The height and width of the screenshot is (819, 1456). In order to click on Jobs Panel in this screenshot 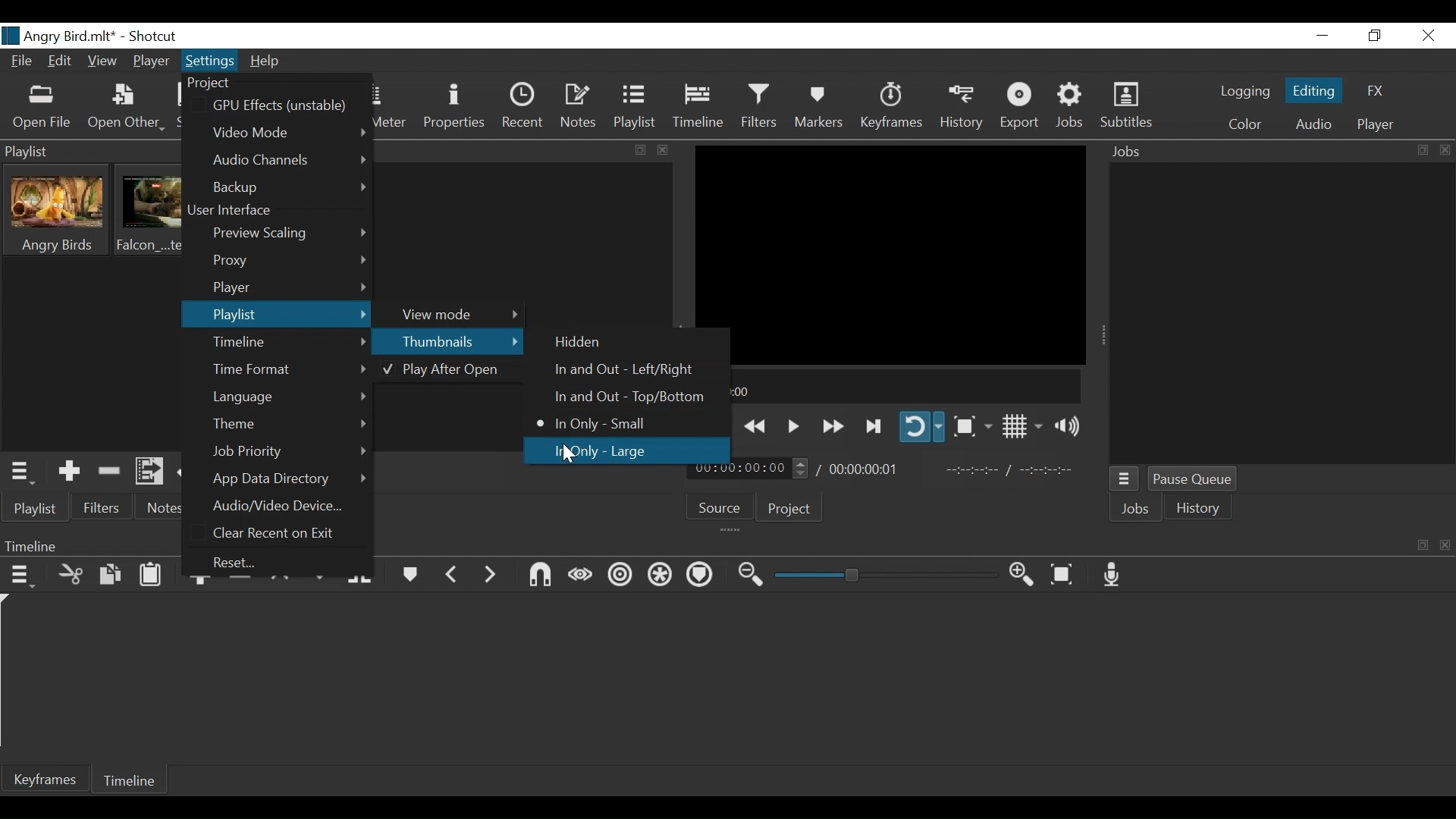, I will do `click(1280, 149)`.